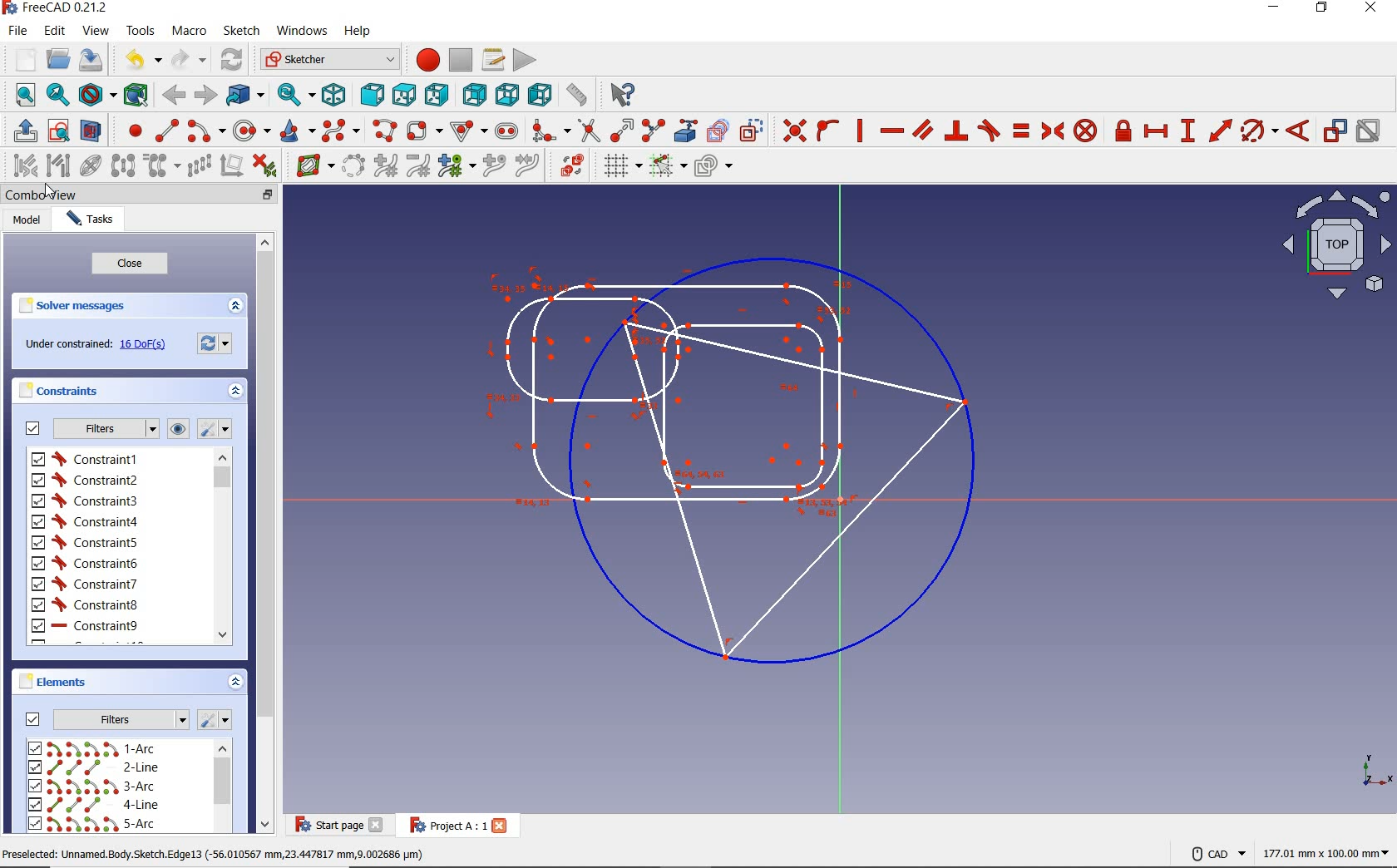 The height and width of the screenshot is (868, 1397). What do you see at coordinates (1333, 245) in the screenshot?
I see `VIEW` at bounding box center [1333, 245].